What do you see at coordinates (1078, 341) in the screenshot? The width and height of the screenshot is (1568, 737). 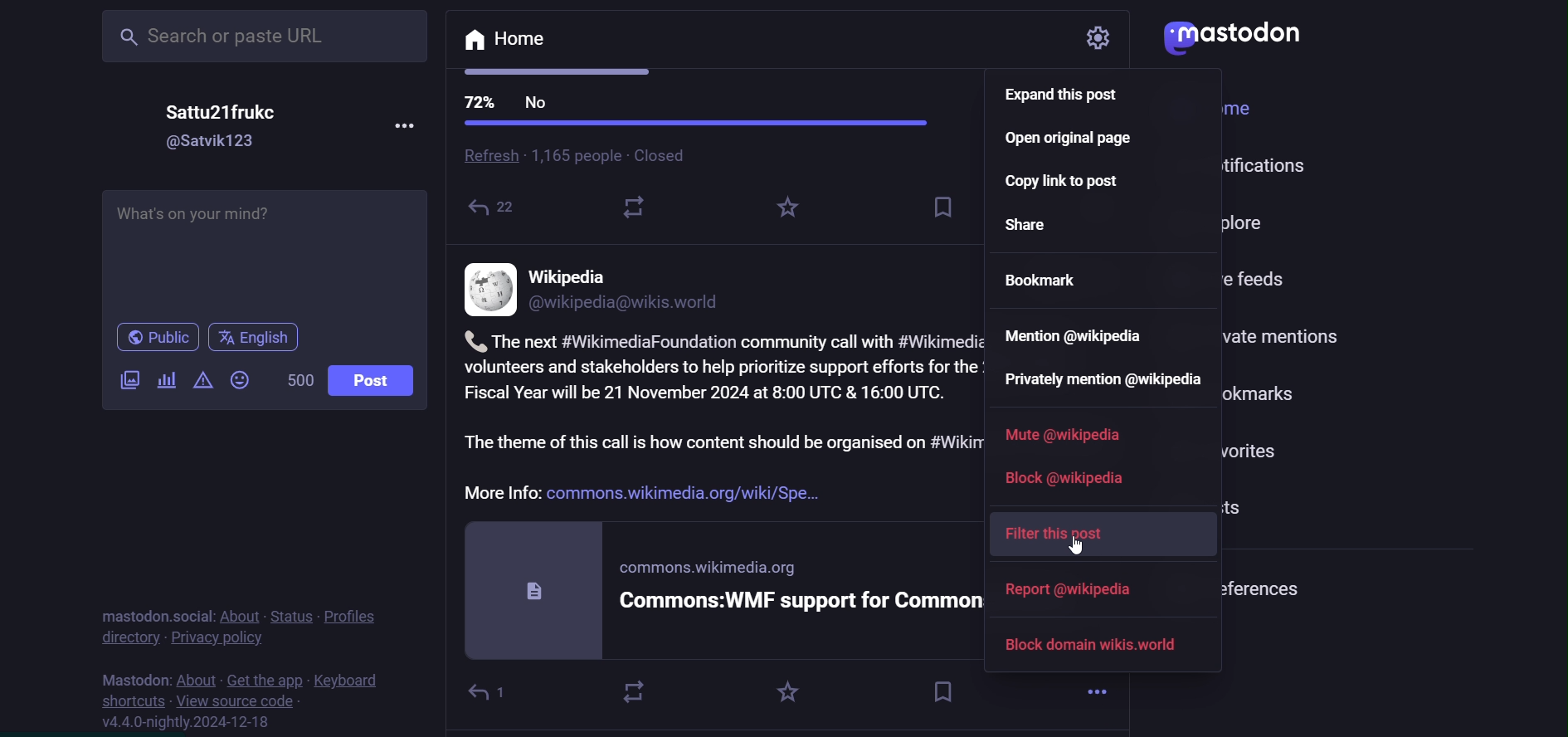 I see `mention` at bounding box center [1078, 341].